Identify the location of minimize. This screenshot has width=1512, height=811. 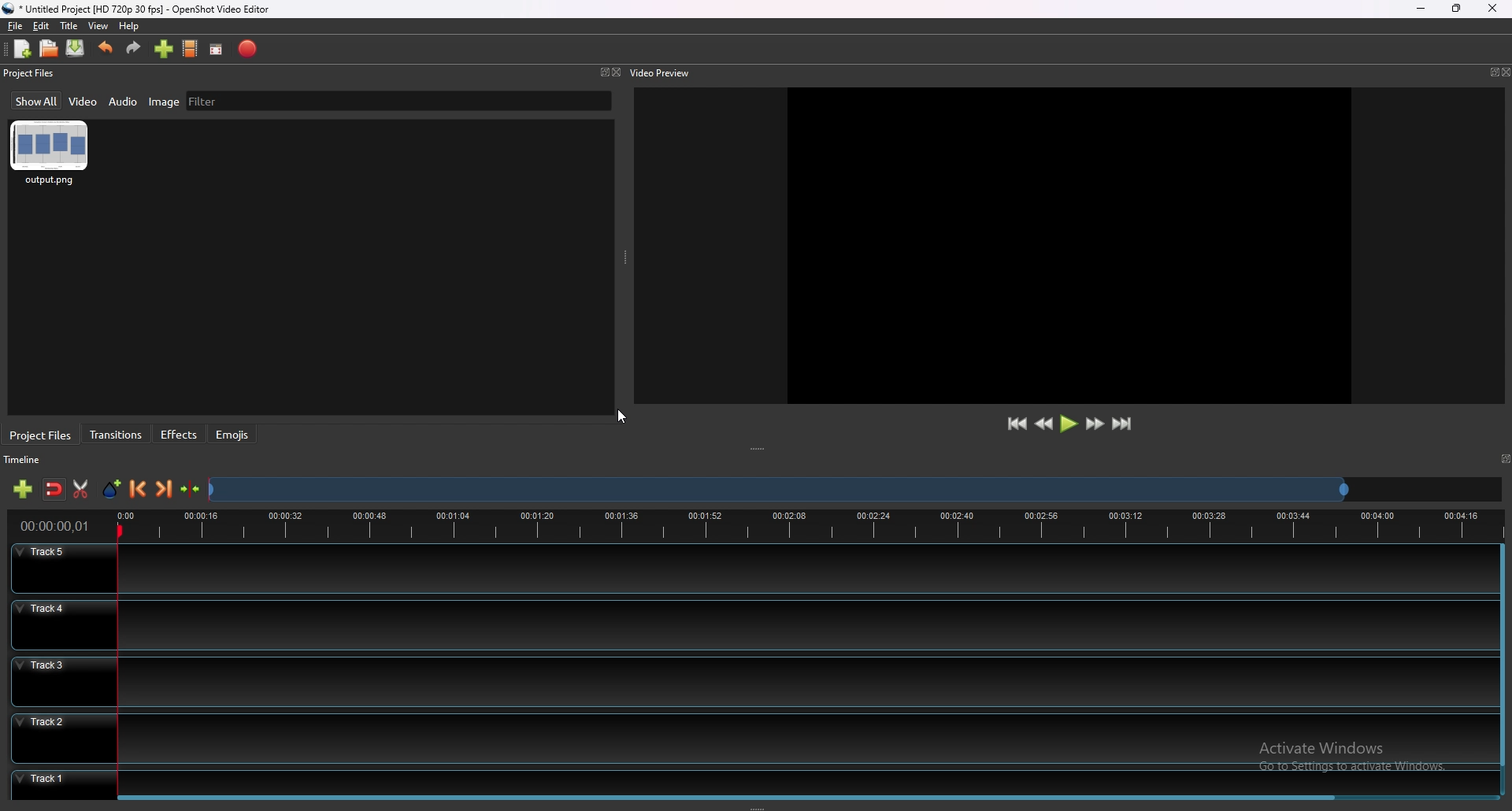
(1423, 9).